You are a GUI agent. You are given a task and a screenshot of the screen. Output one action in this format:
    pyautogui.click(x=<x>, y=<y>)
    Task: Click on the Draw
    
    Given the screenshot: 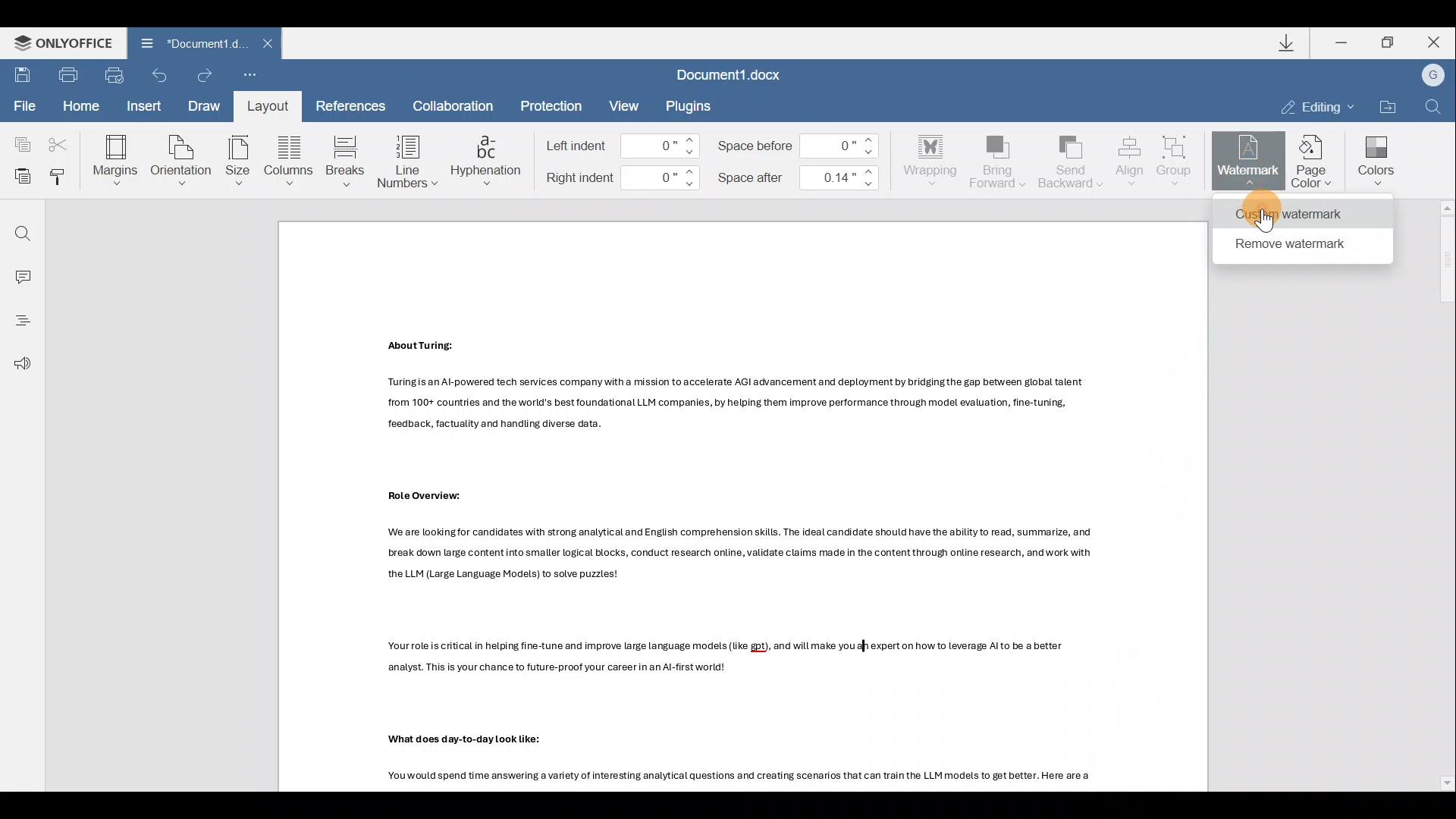 What is the action you would take?
    pyautogui.click(x=205, y=108)
    